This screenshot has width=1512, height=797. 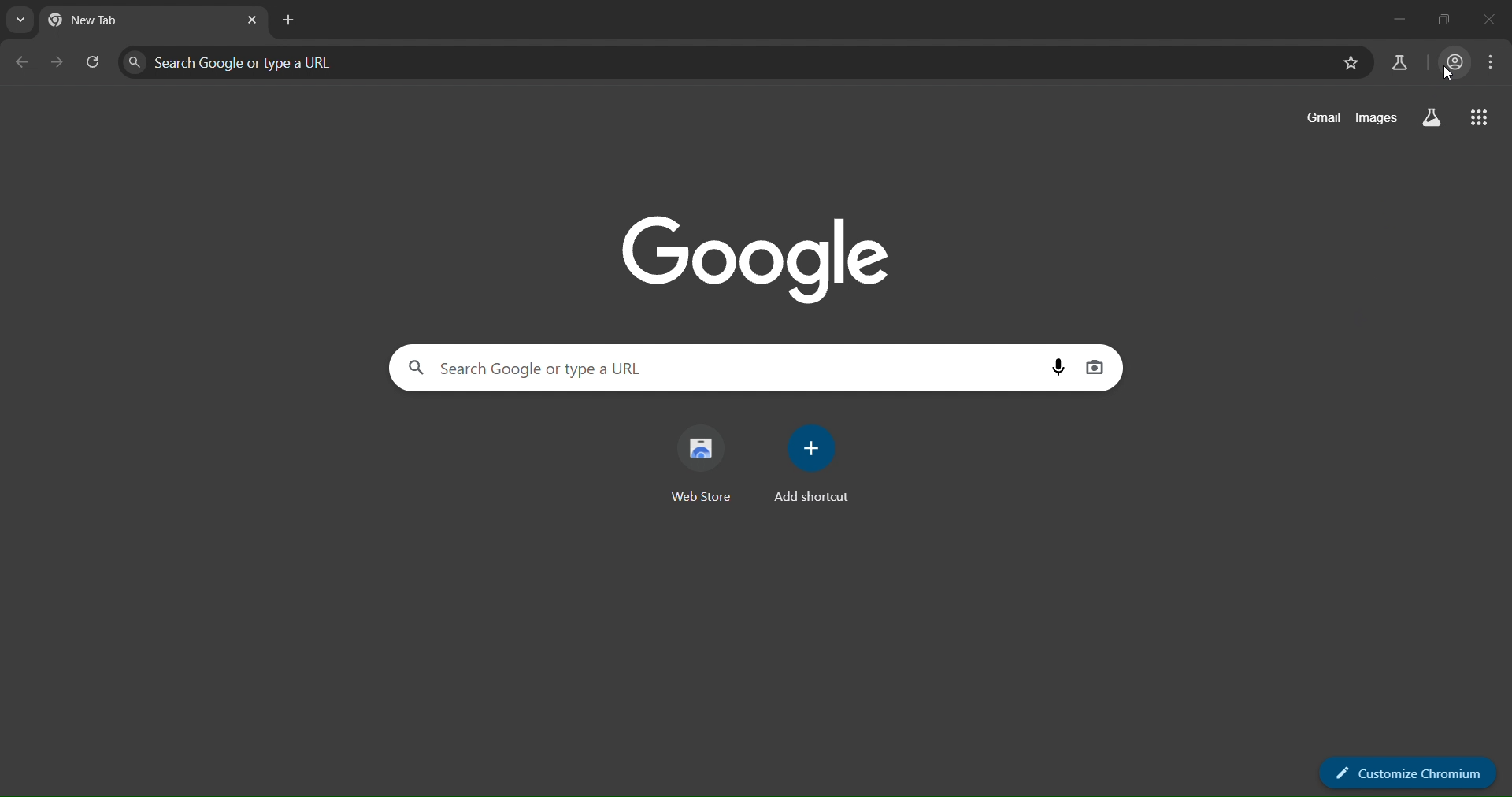 I want to click on search google or type a URL, so click(x=716, y=371).